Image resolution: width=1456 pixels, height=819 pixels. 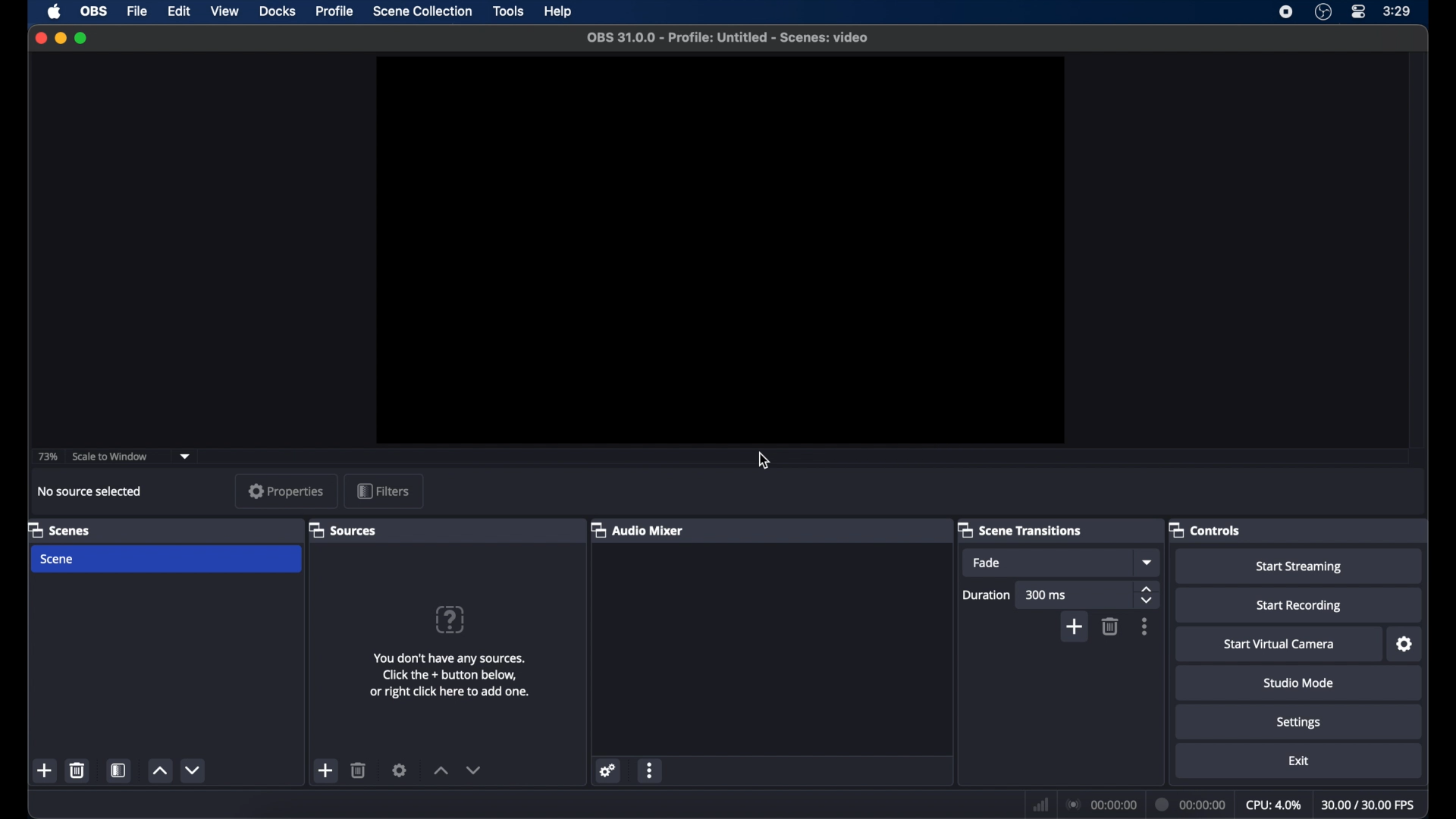 I want to click on add, so click(x=1074, y=628).